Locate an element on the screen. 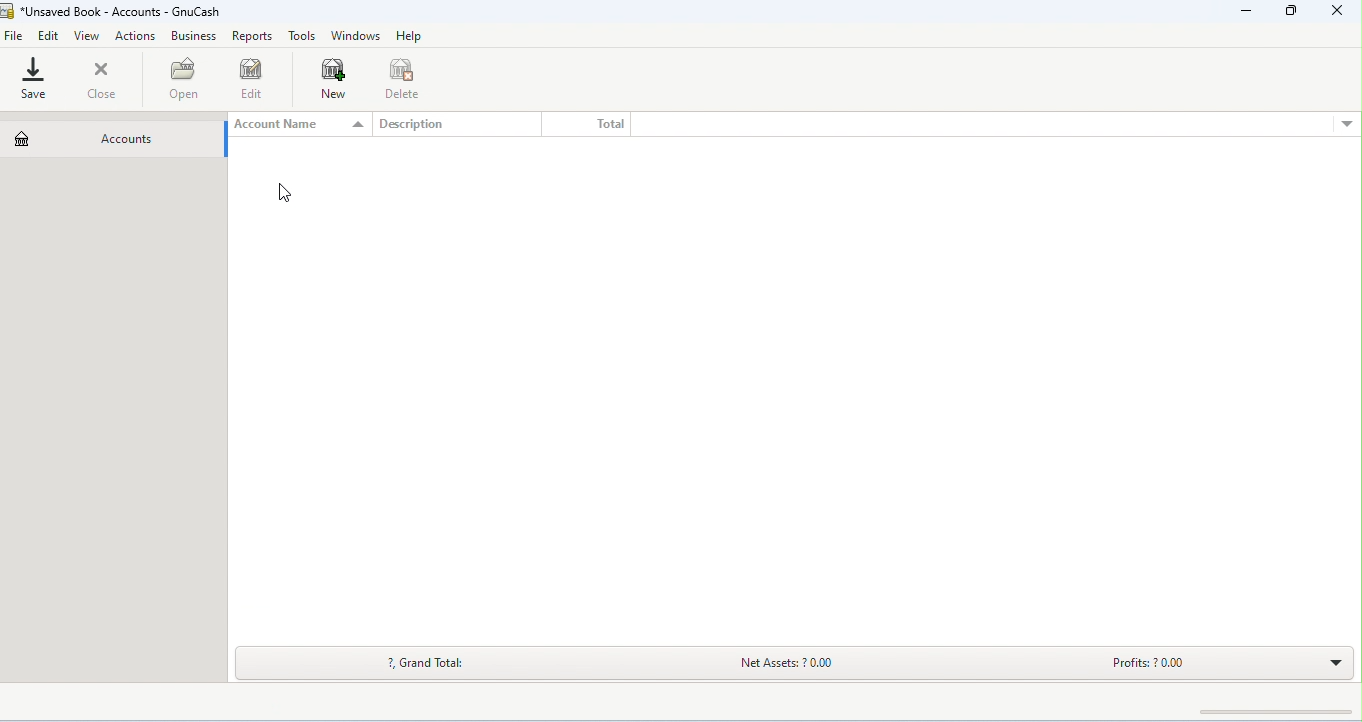 This screenshot has width=1362, height=722. edit is located at coordinates (255, 78).